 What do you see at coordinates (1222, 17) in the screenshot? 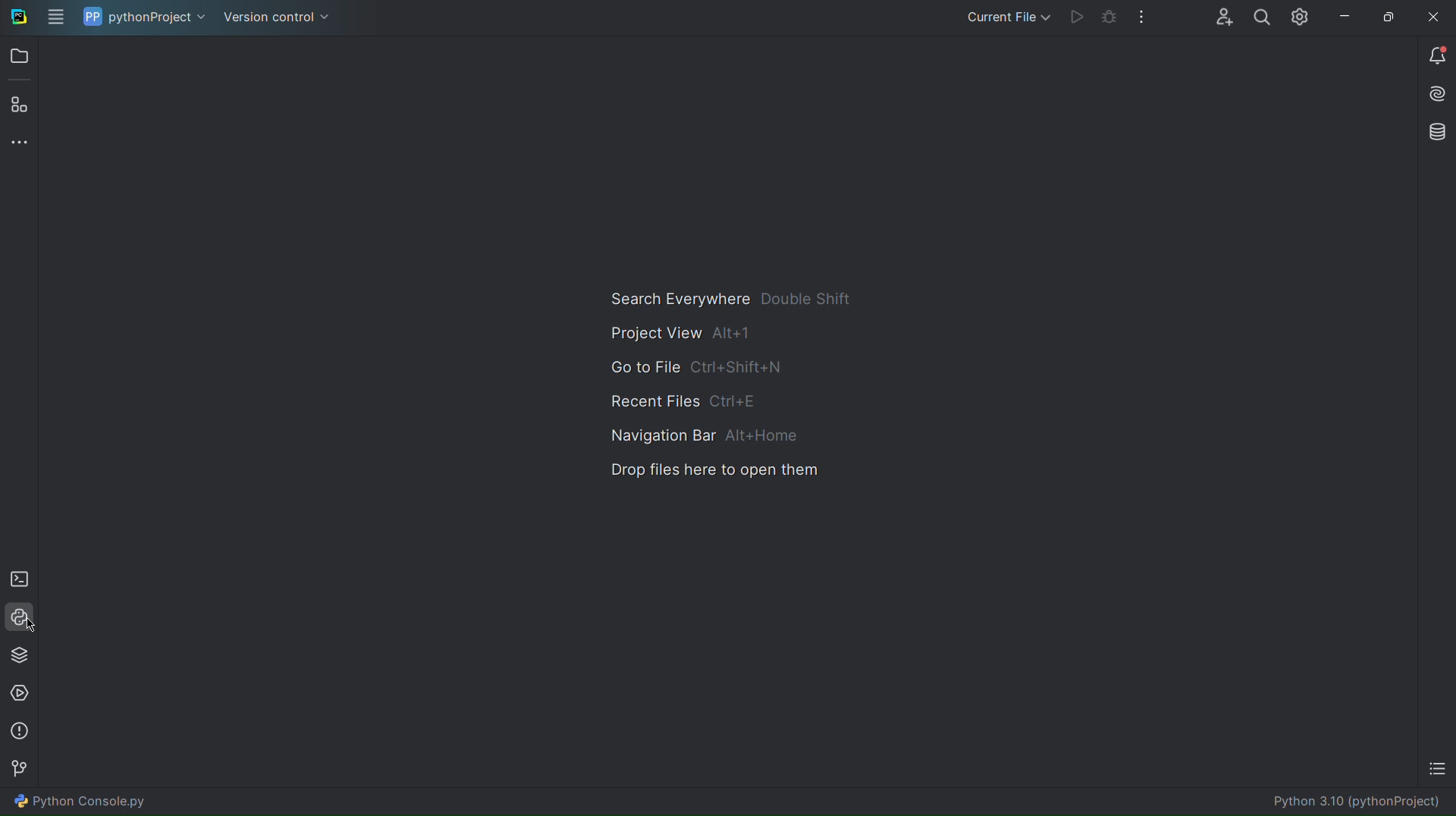
I see `Account` at bounding box center [1222, 17].